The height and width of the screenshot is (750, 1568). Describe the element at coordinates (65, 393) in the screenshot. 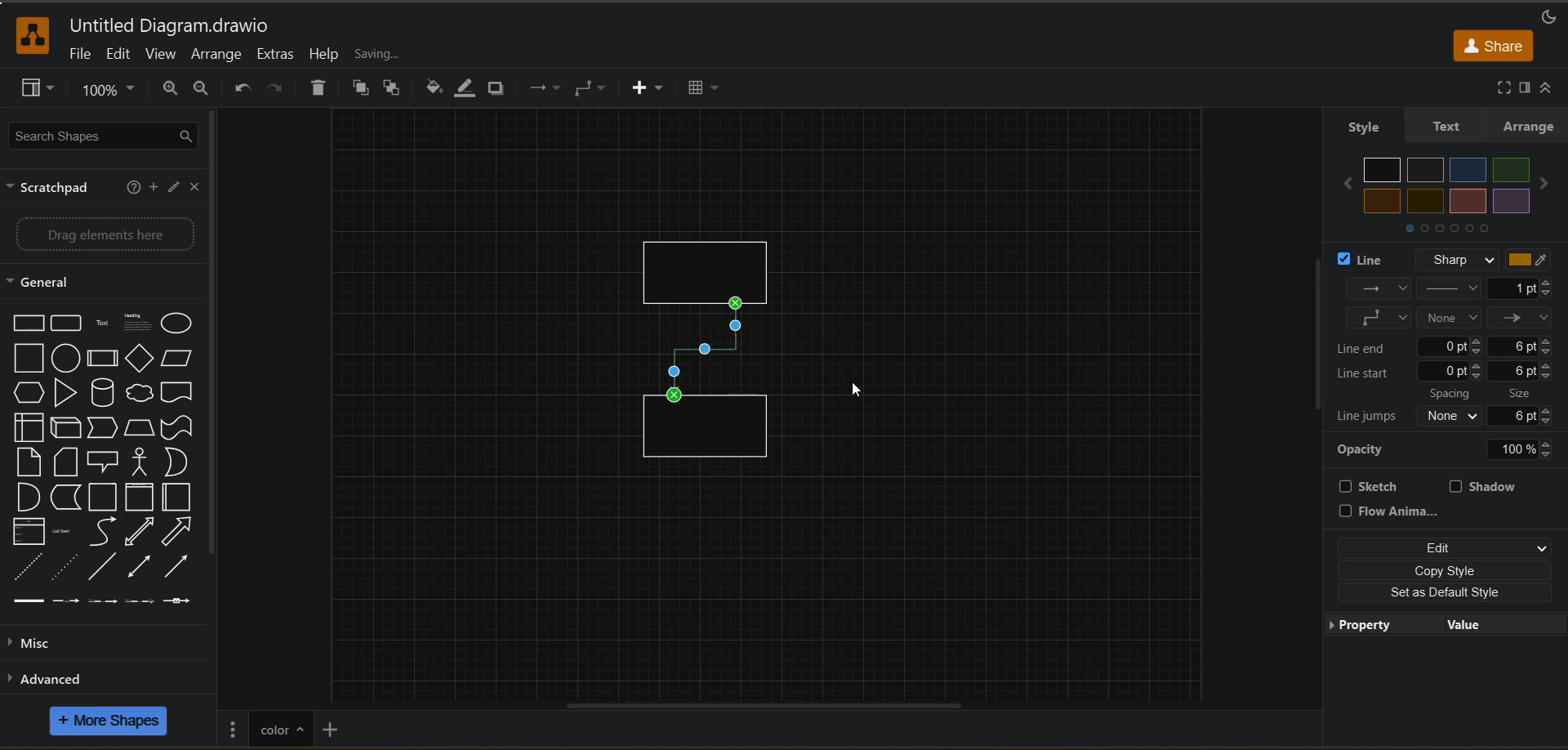

I see `Triangle` at that location.